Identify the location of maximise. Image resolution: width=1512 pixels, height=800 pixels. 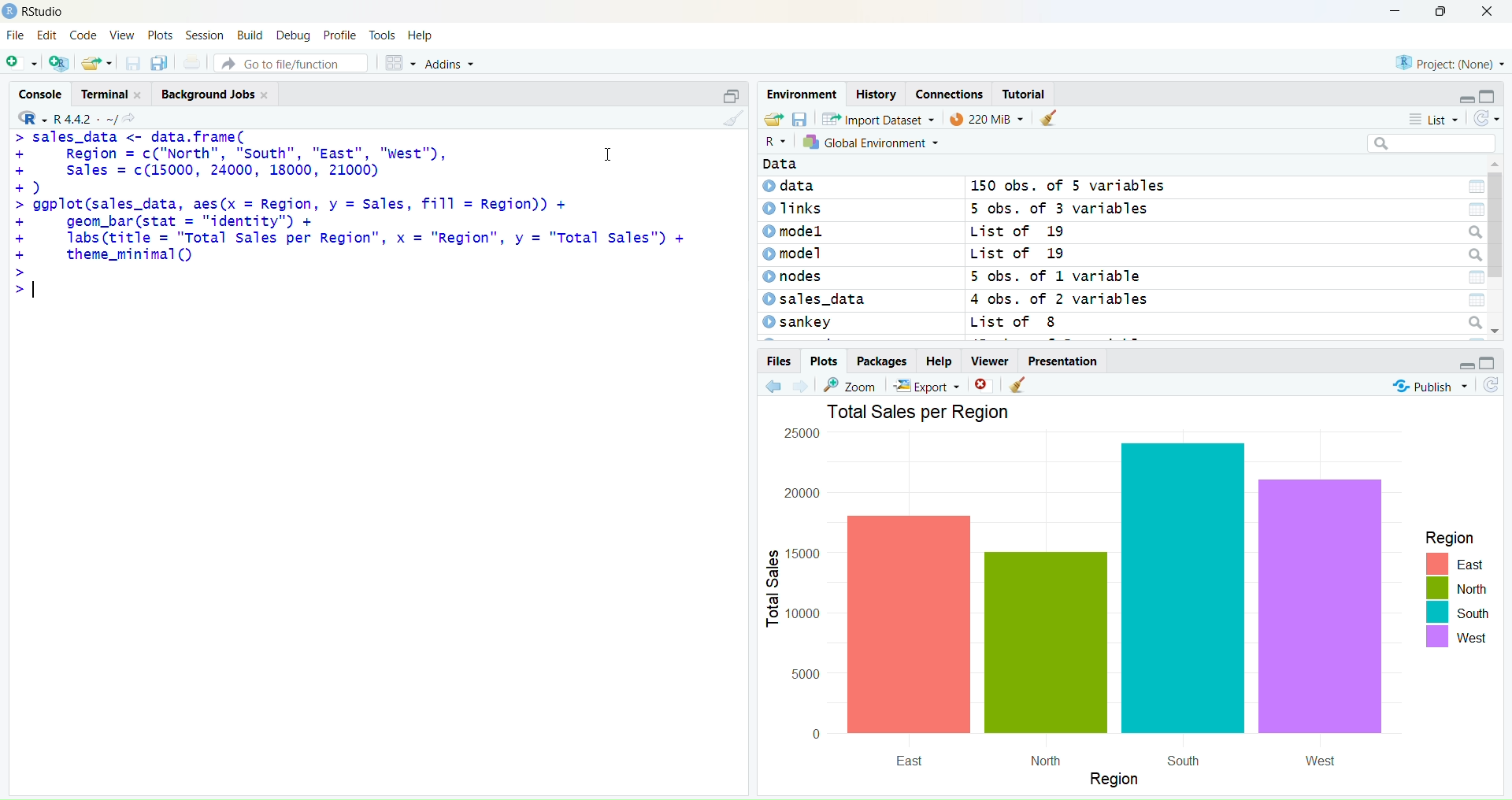
(724, 94).